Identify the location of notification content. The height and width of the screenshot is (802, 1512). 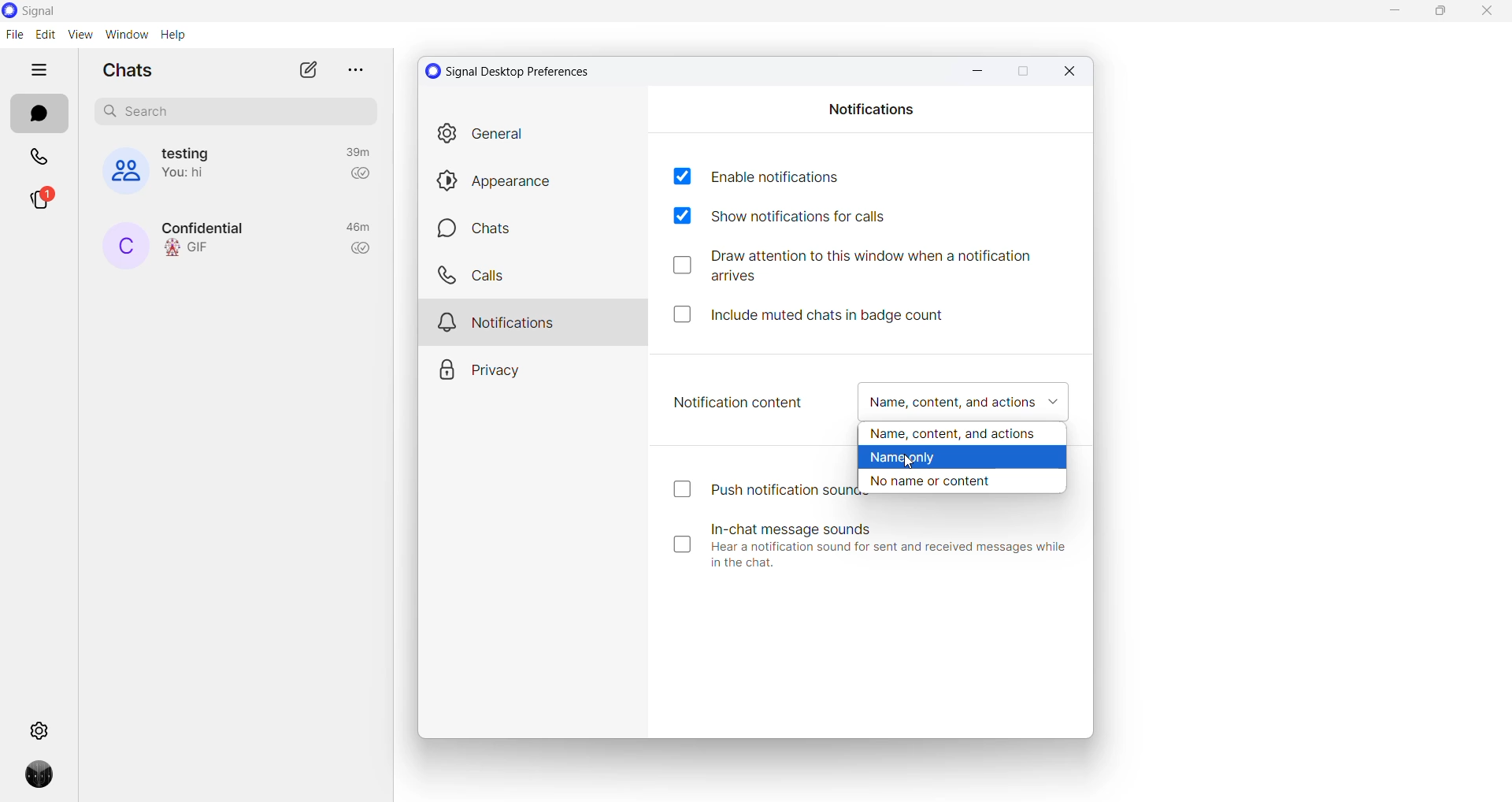
(739, 402).